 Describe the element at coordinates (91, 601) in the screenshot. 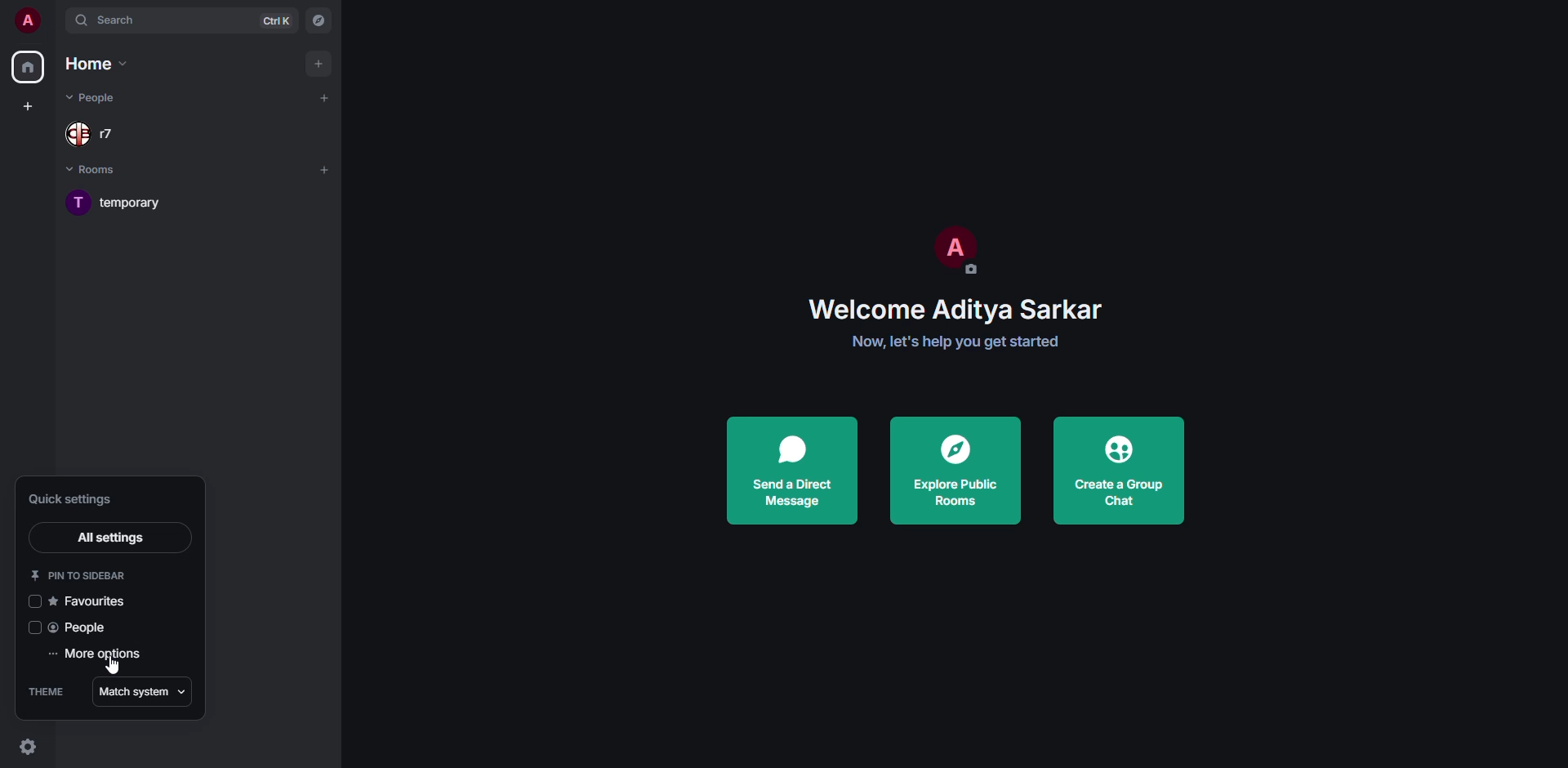

I see `favorites` at that location.